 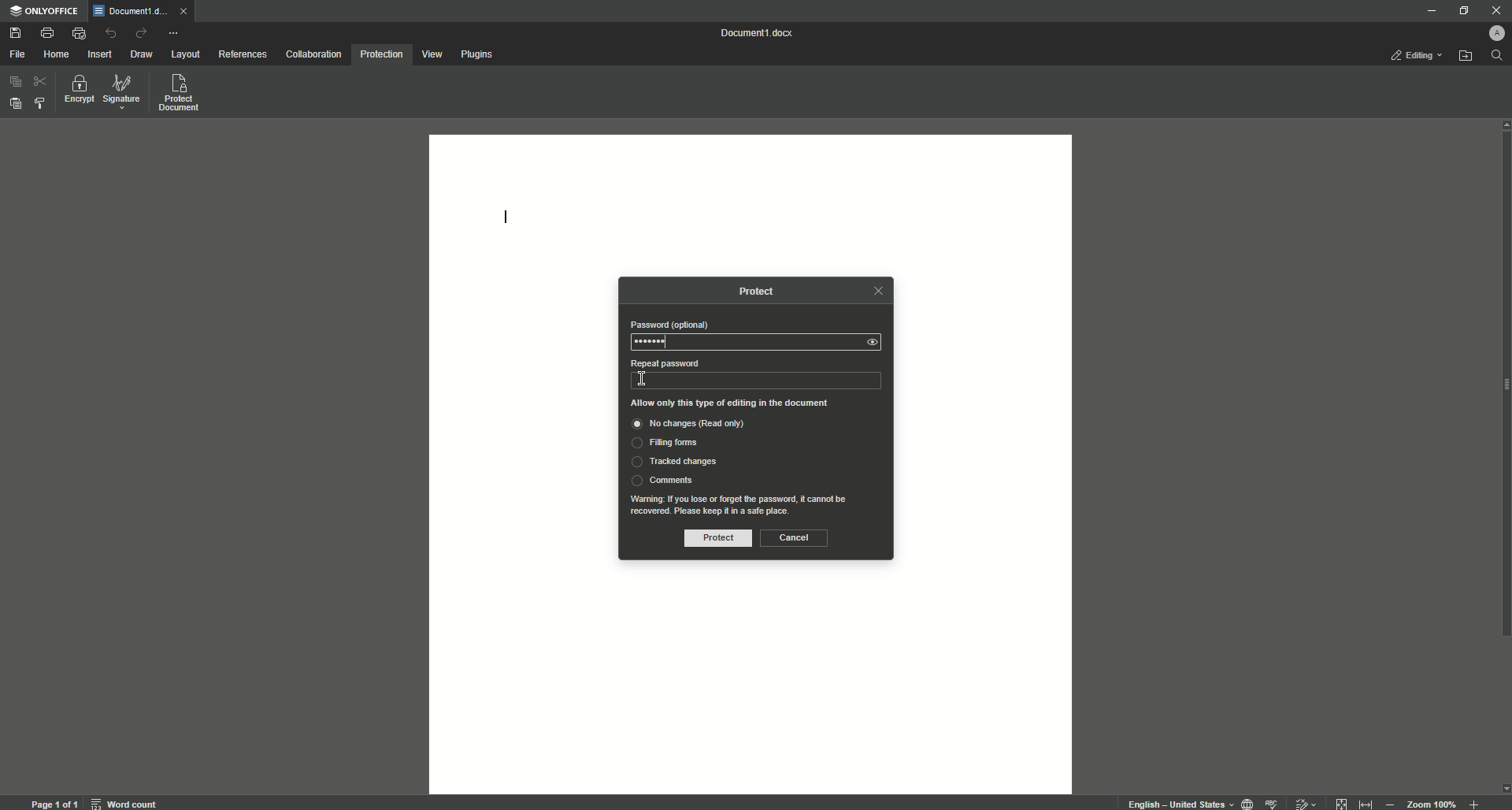 I want to click on word count, so click(x=128, y=801).